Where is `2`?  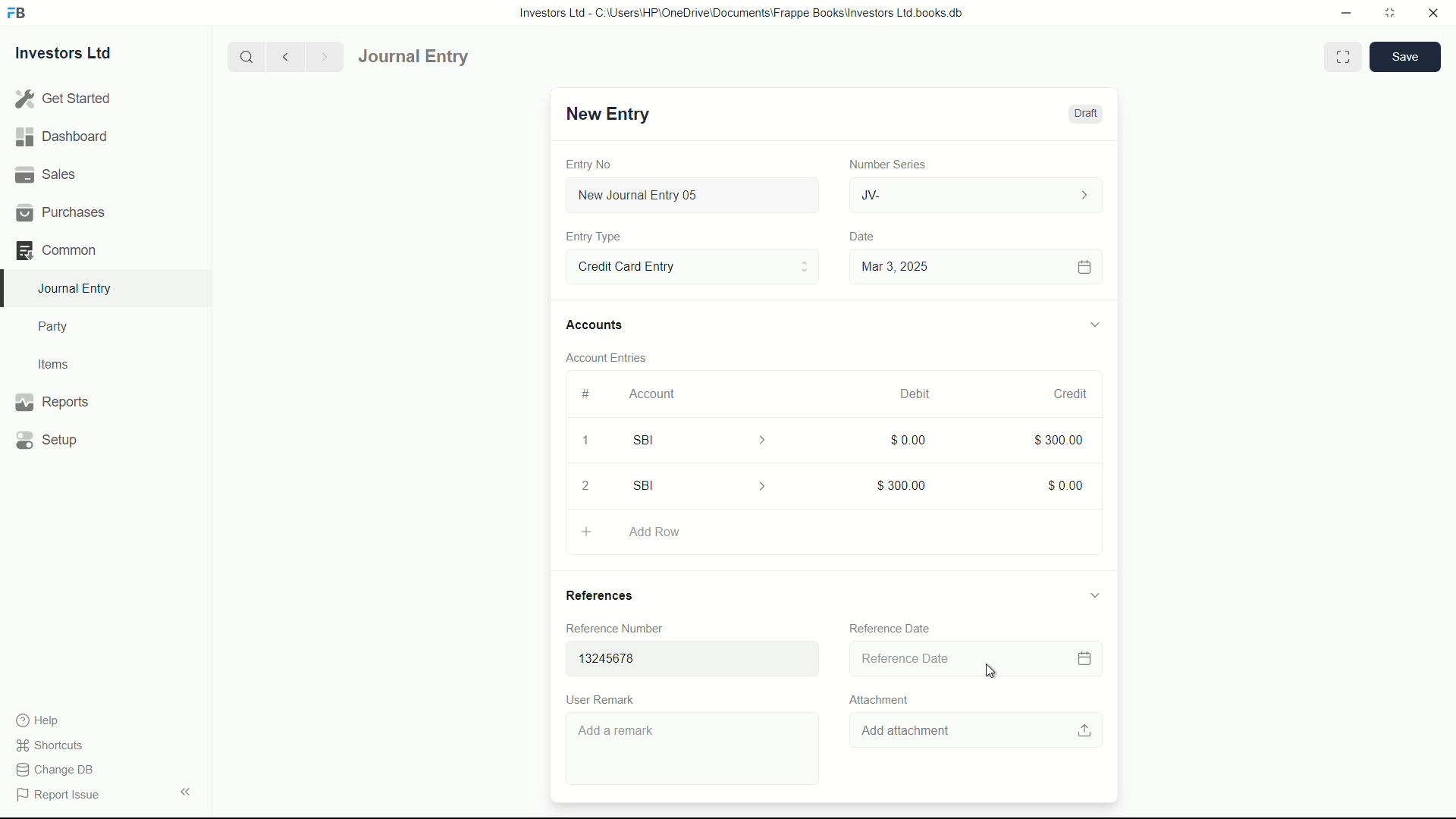
2 is located at coordinates (591, 485).